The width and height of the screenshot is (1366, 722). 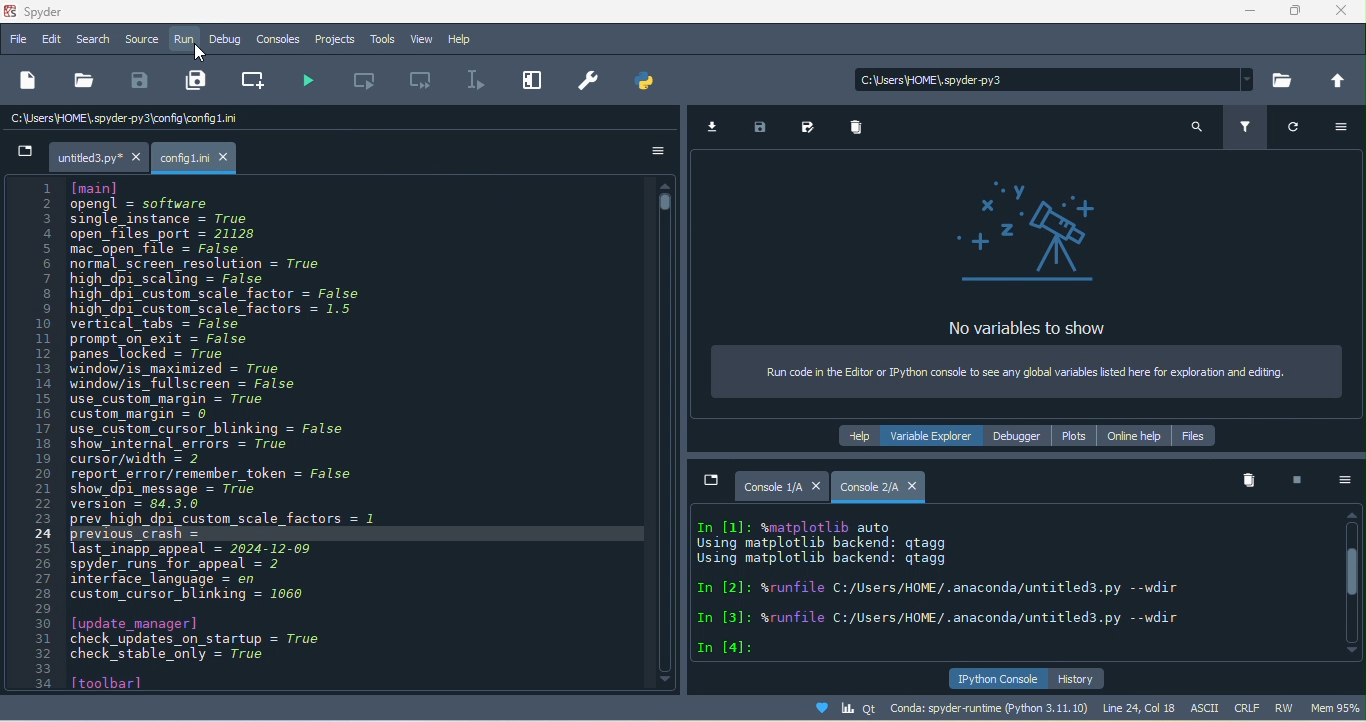 I want to click on edit, so click(x=51, y=41).